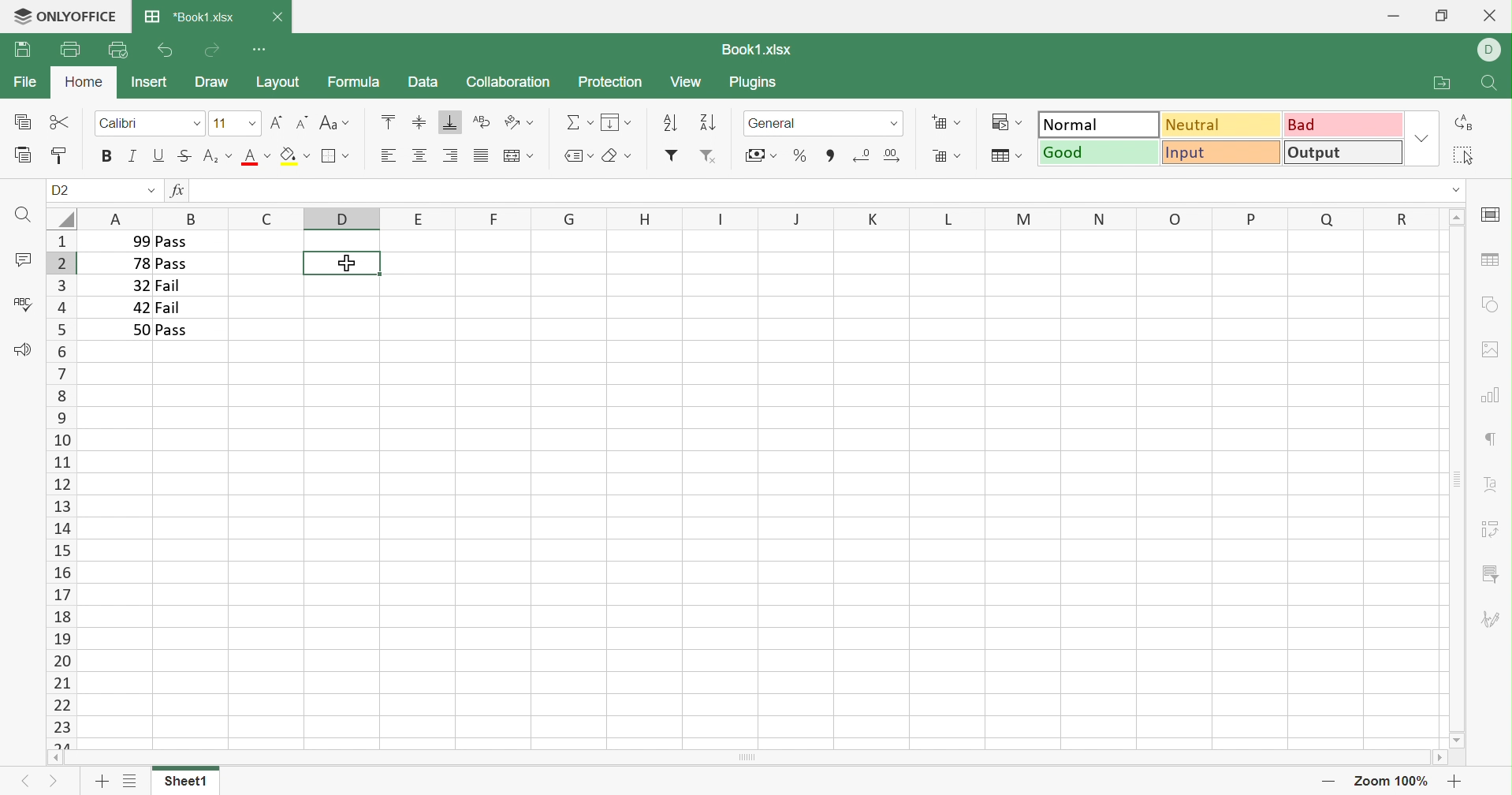  Describe the element at coordinates (212, 50) in the screenshot. I see `Redo` at that location.